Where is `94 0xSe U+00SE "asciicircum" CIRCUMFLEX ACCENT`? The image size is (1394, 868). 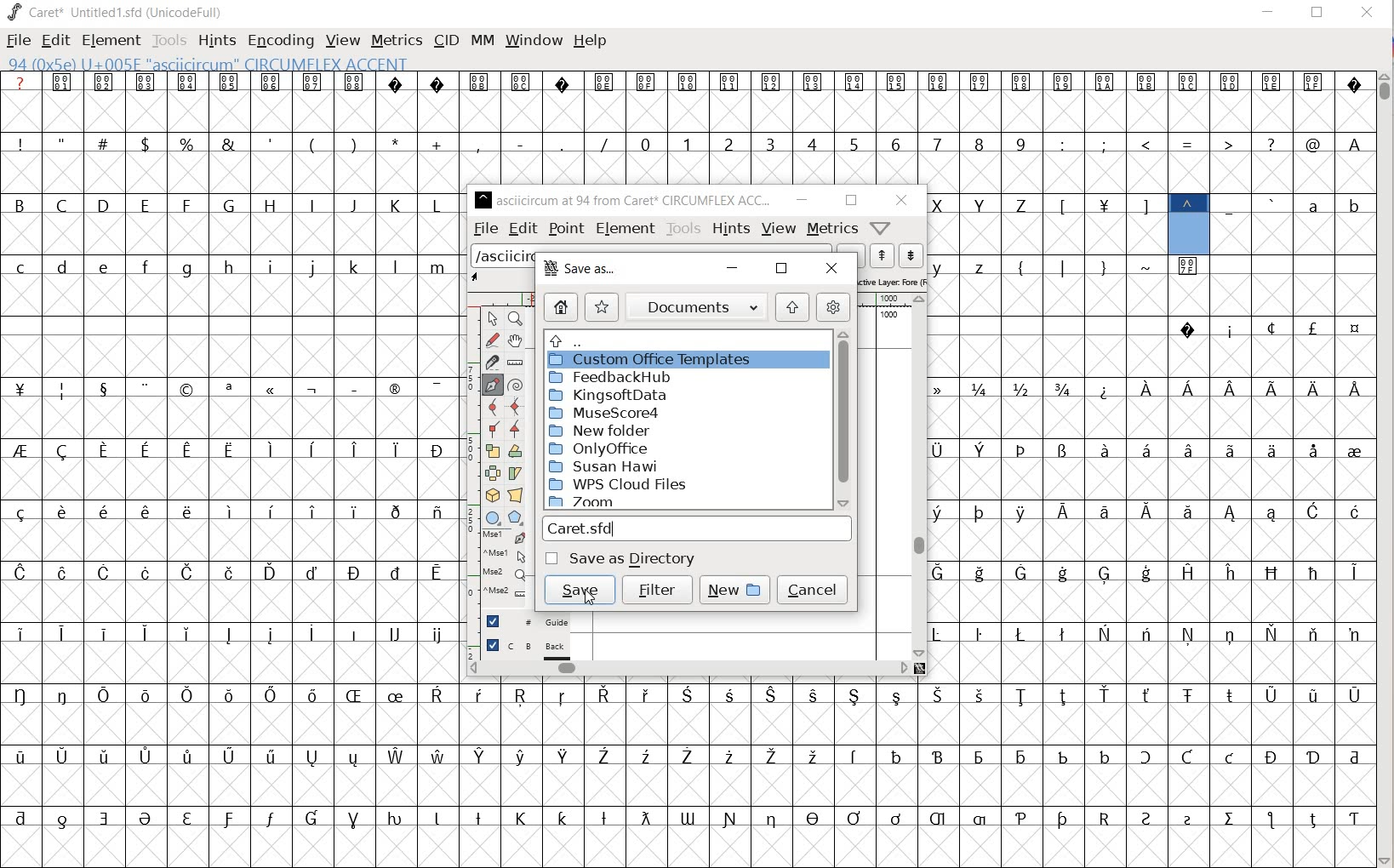 94 0xSe U+00SE "asciicircum" CIRCUMFLEX ACCENT is located at coordinates (1187, 225).